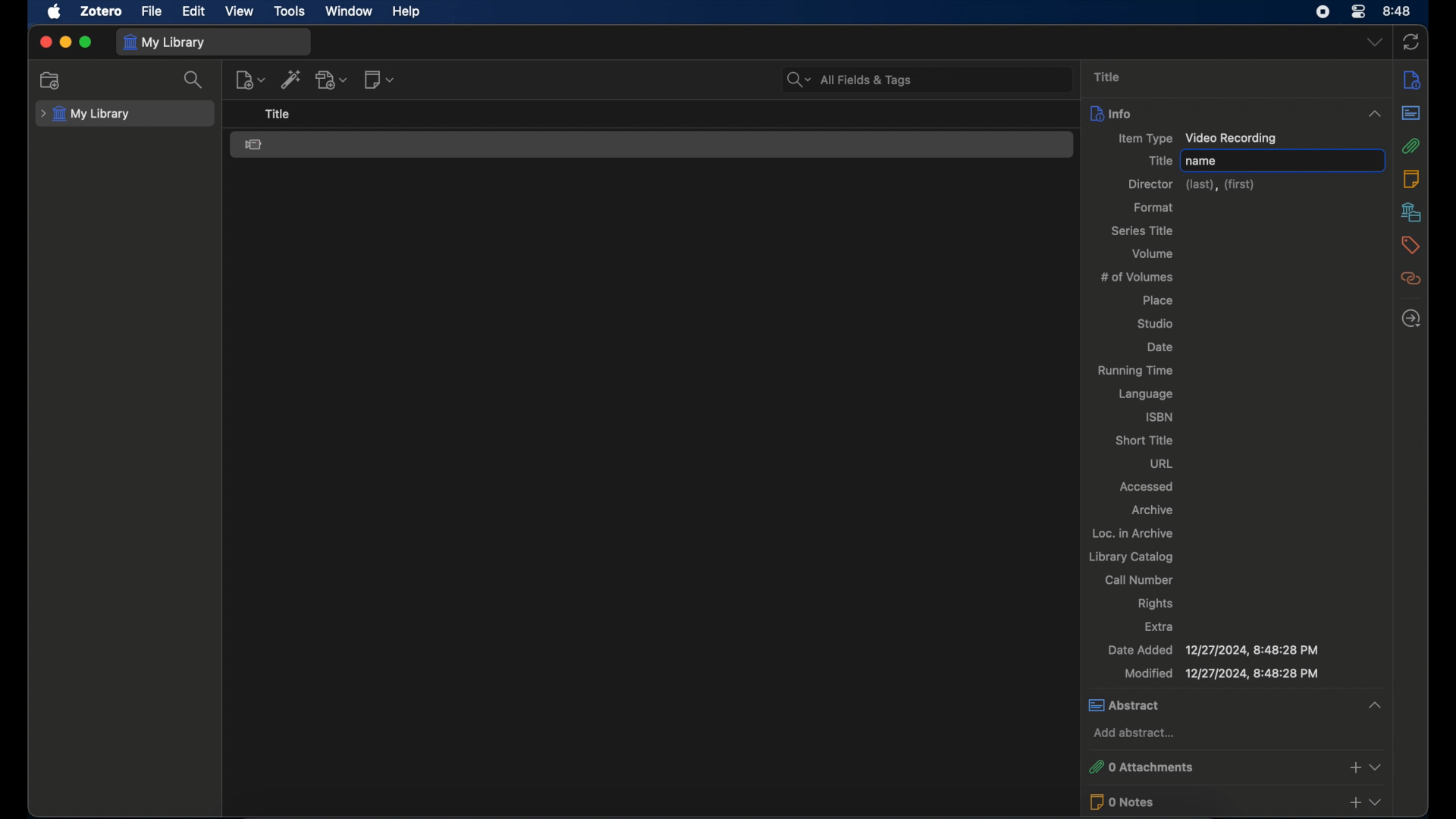  What do you see at coordinates (1133, 532) in the screenshot?
I see `loc. in archive` at bounding box center [1133, 532].